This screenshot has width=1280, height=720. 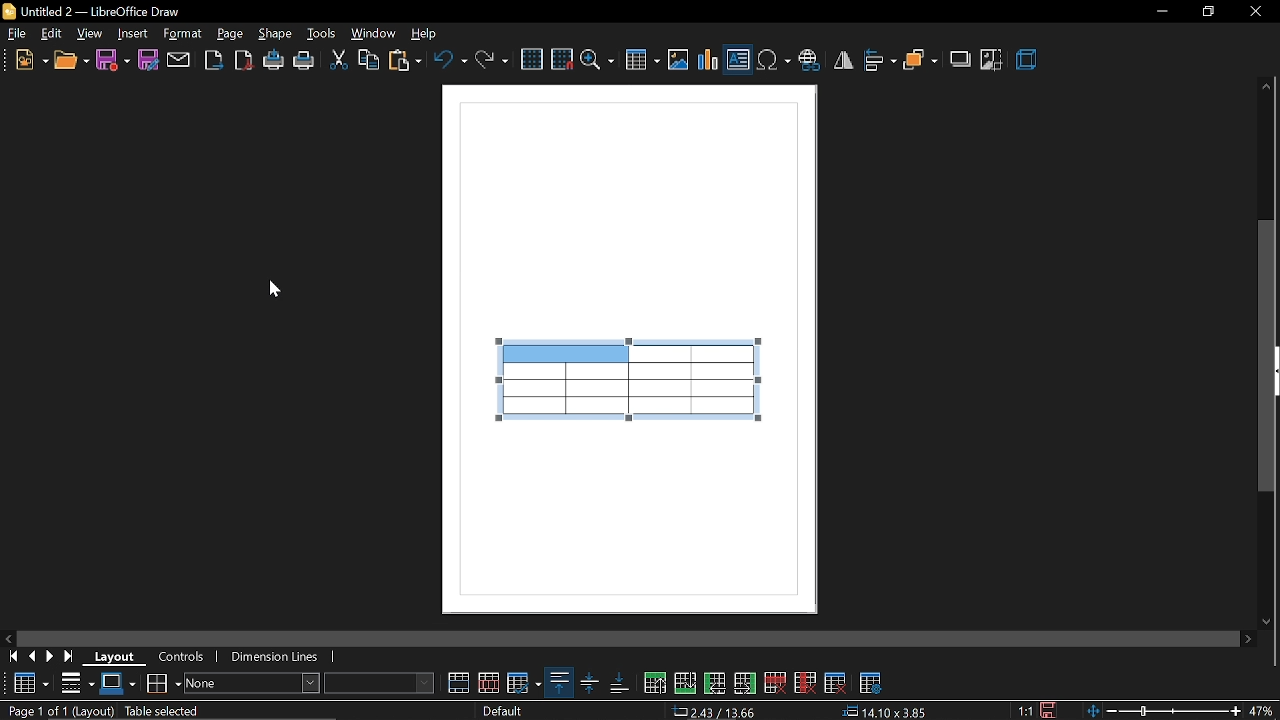 What do you see at coordinates (879, 58) in the screenshot?
I see `align` at bounding box center [879, 58].